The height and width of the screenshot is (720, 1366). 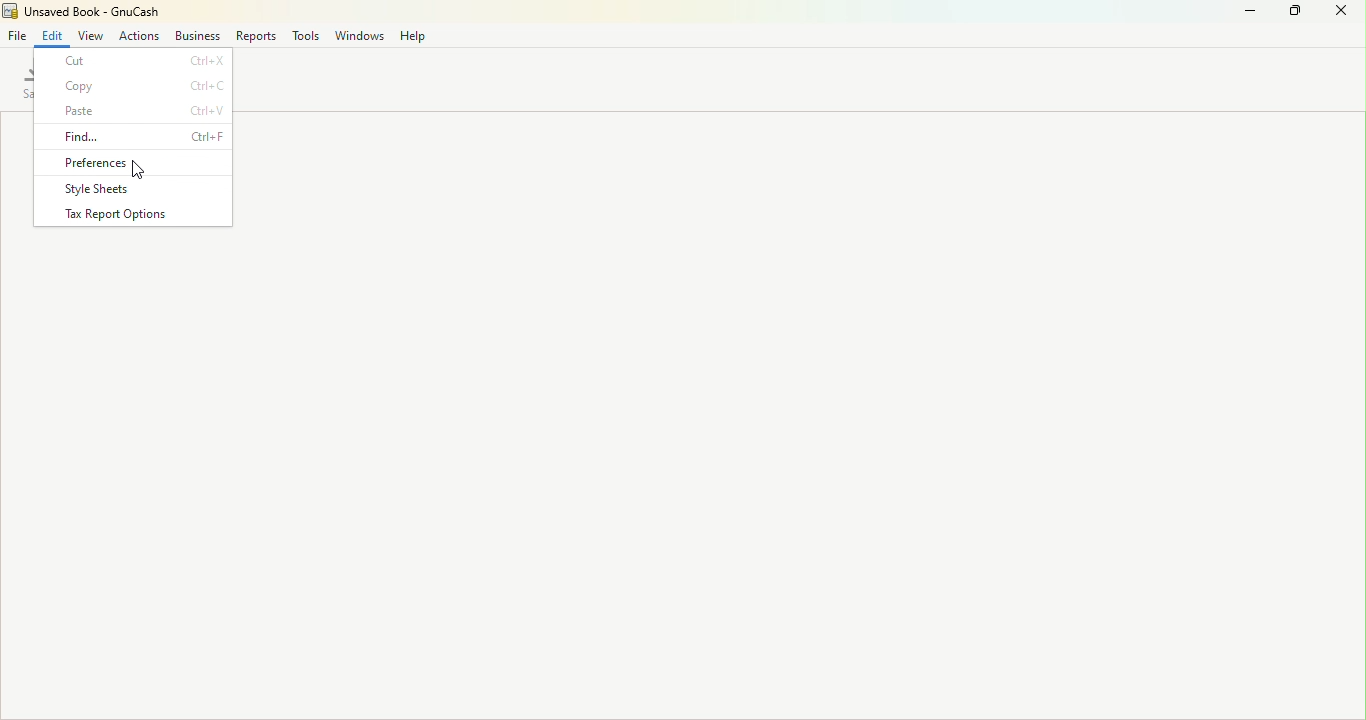 What do you see at coordinates (306, 38) in the screenshot?
I see `Tools` at bounding box center [306, 38].